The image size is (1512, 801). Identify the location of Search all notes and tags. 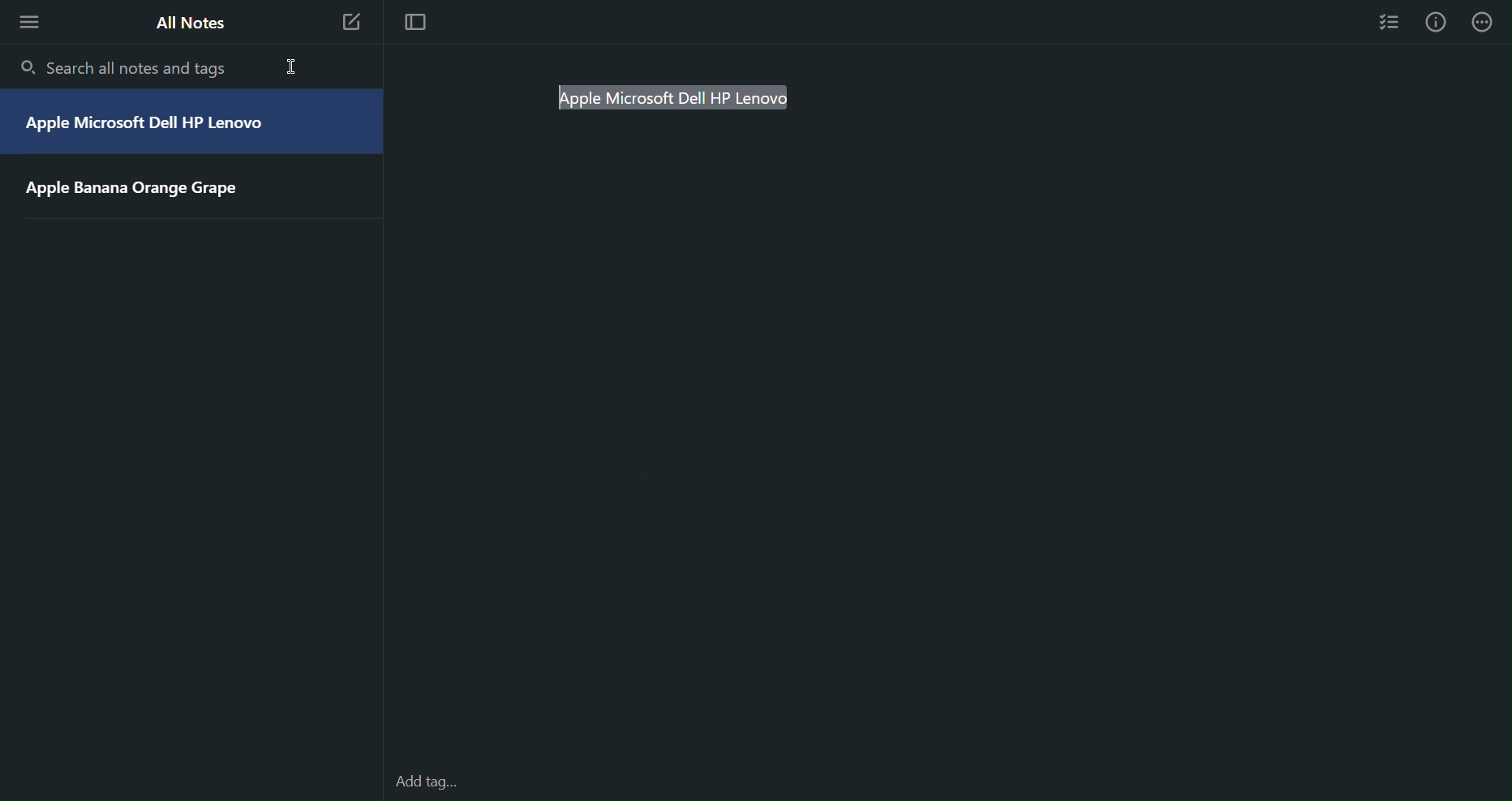
(129, 67).